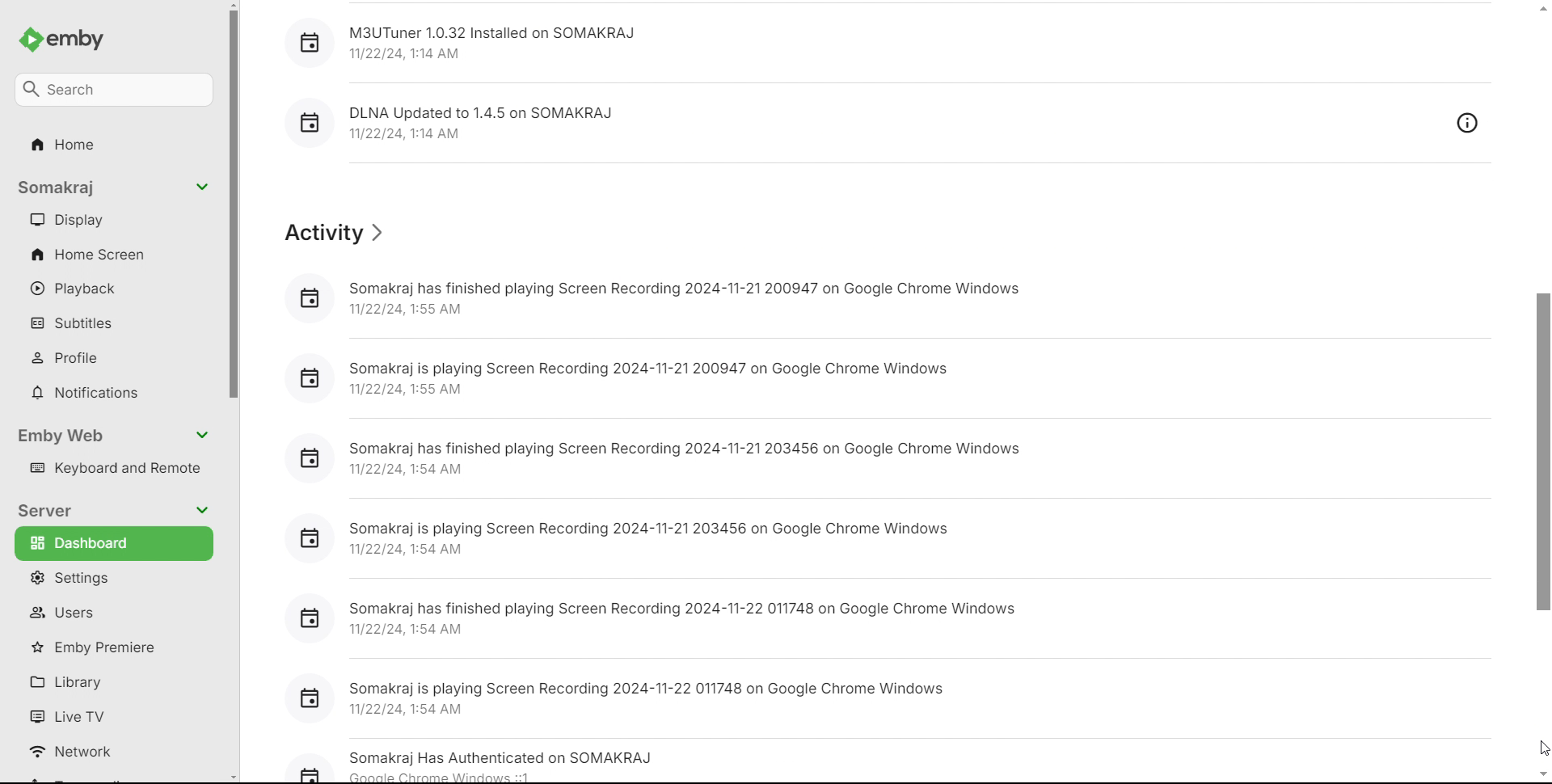 The width and height of the screenshot is (1552, 784). I want to click on search, so click(113, 91).